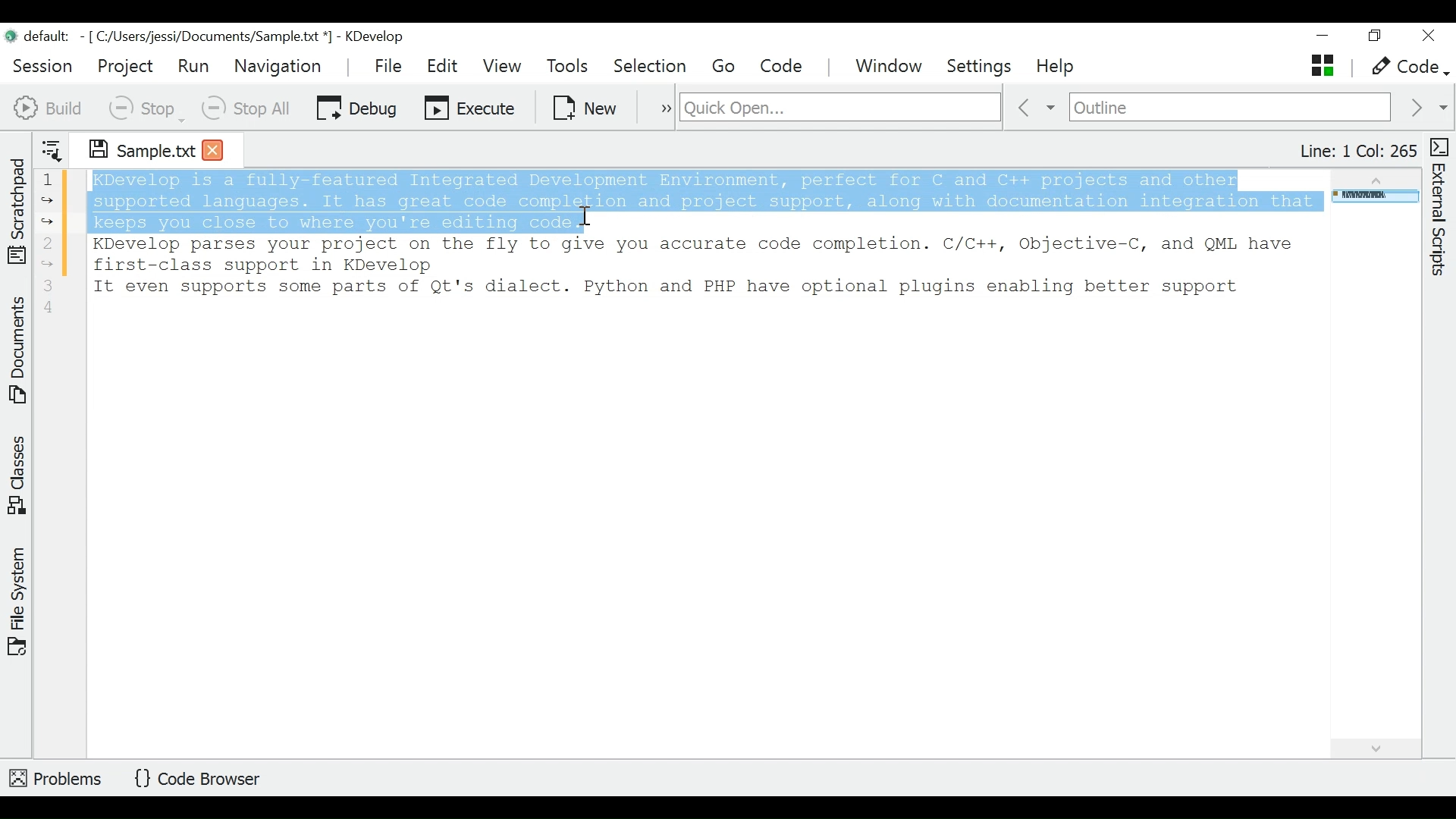 Image resolution: width=1456 pixels, height=819 pixels. What do you see at coordinates (572, 67) in the screenshot?
I see `Tools` at bounding box center [572, 67].